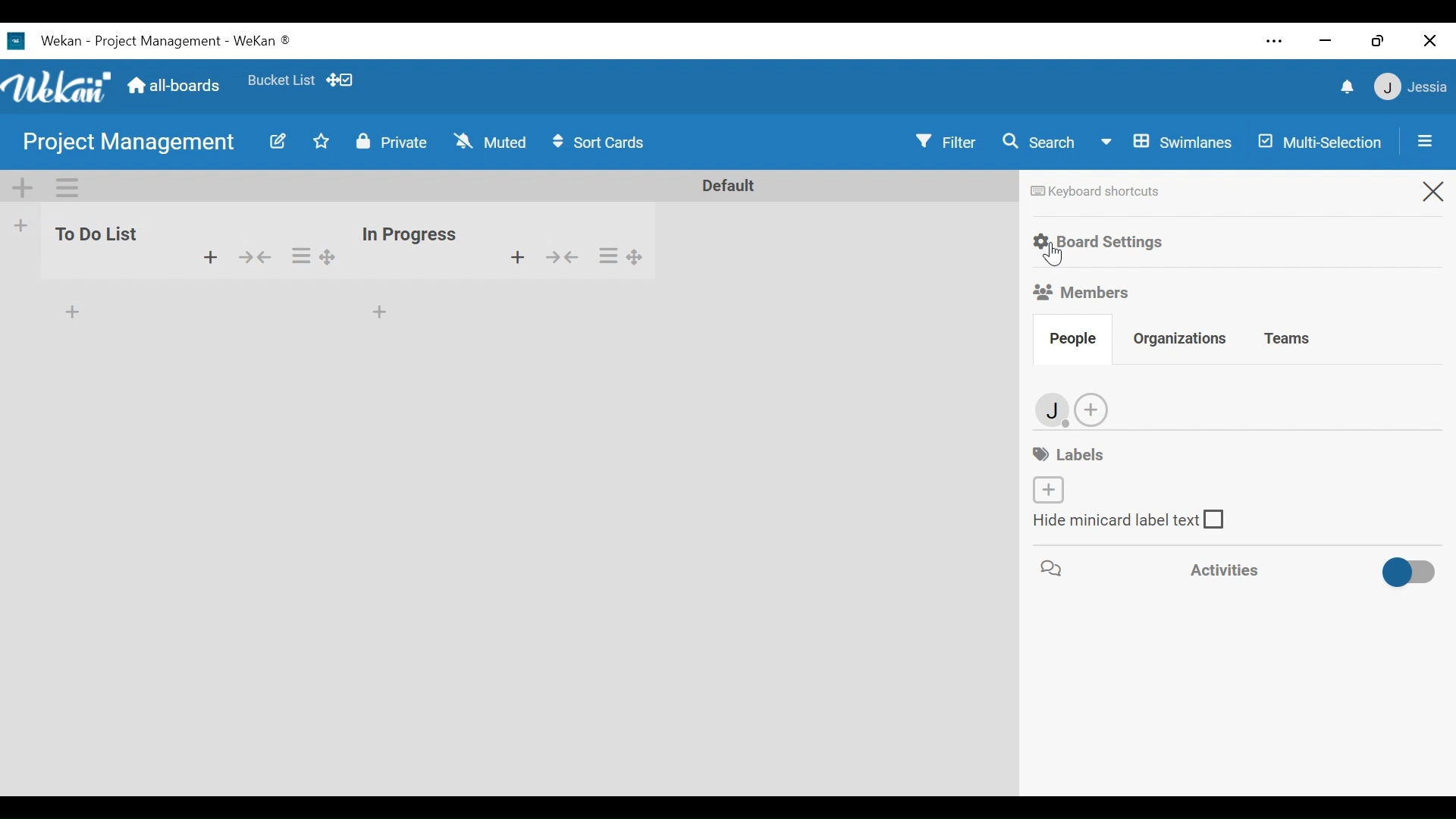 The height and width of the screenshot is (819, 1456). Describe the element at coordinates (322, 142) in the screenshot. I see `Toggle Favorites` at that location.